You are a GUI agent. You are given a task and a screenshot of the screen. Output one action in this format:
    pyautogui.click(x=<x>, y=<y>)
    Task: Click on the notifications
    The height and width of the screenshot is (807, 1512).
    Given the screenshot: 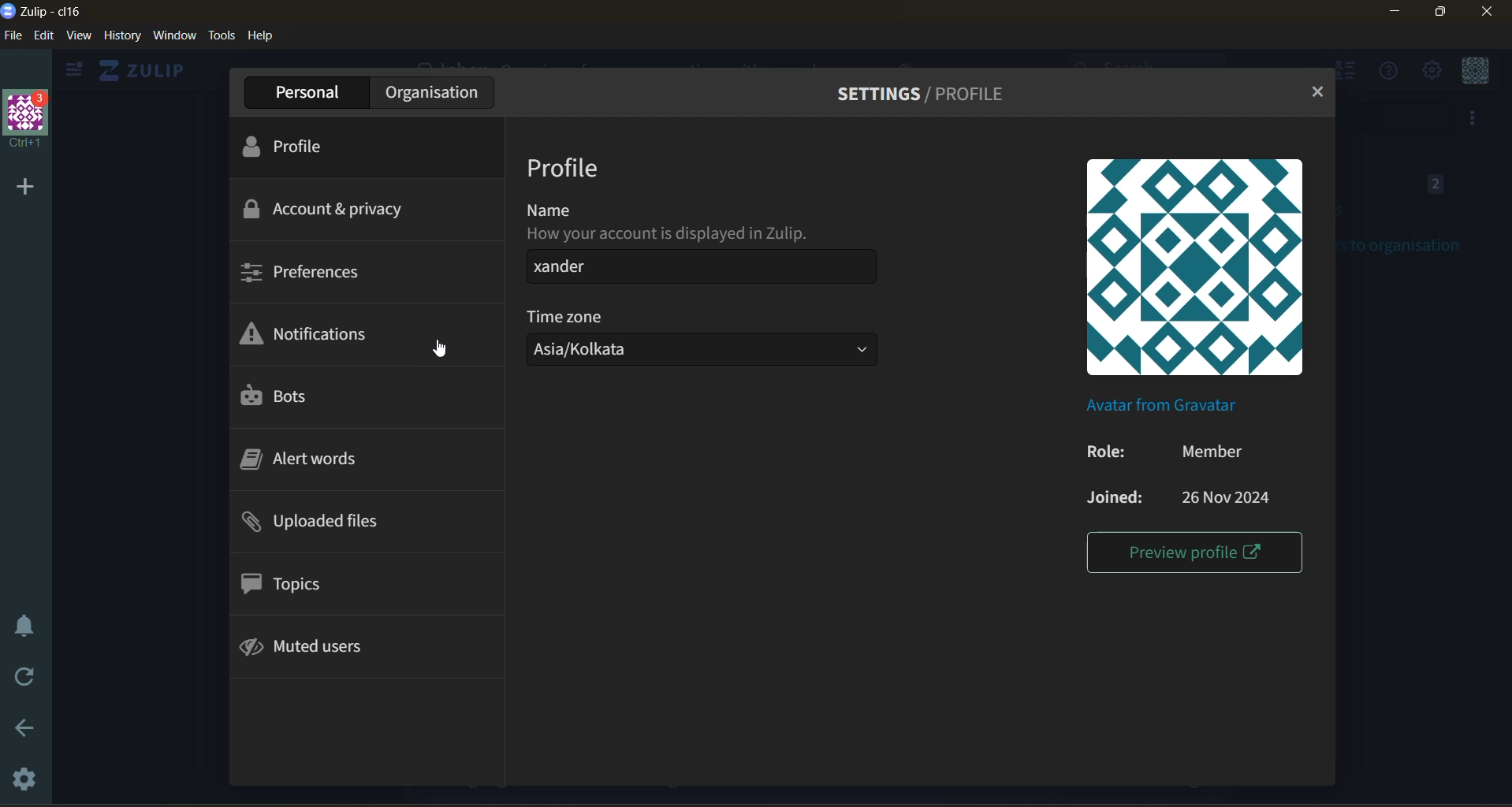 What is the action you would take?
    pyautogui.click(x=318, y=335)
    